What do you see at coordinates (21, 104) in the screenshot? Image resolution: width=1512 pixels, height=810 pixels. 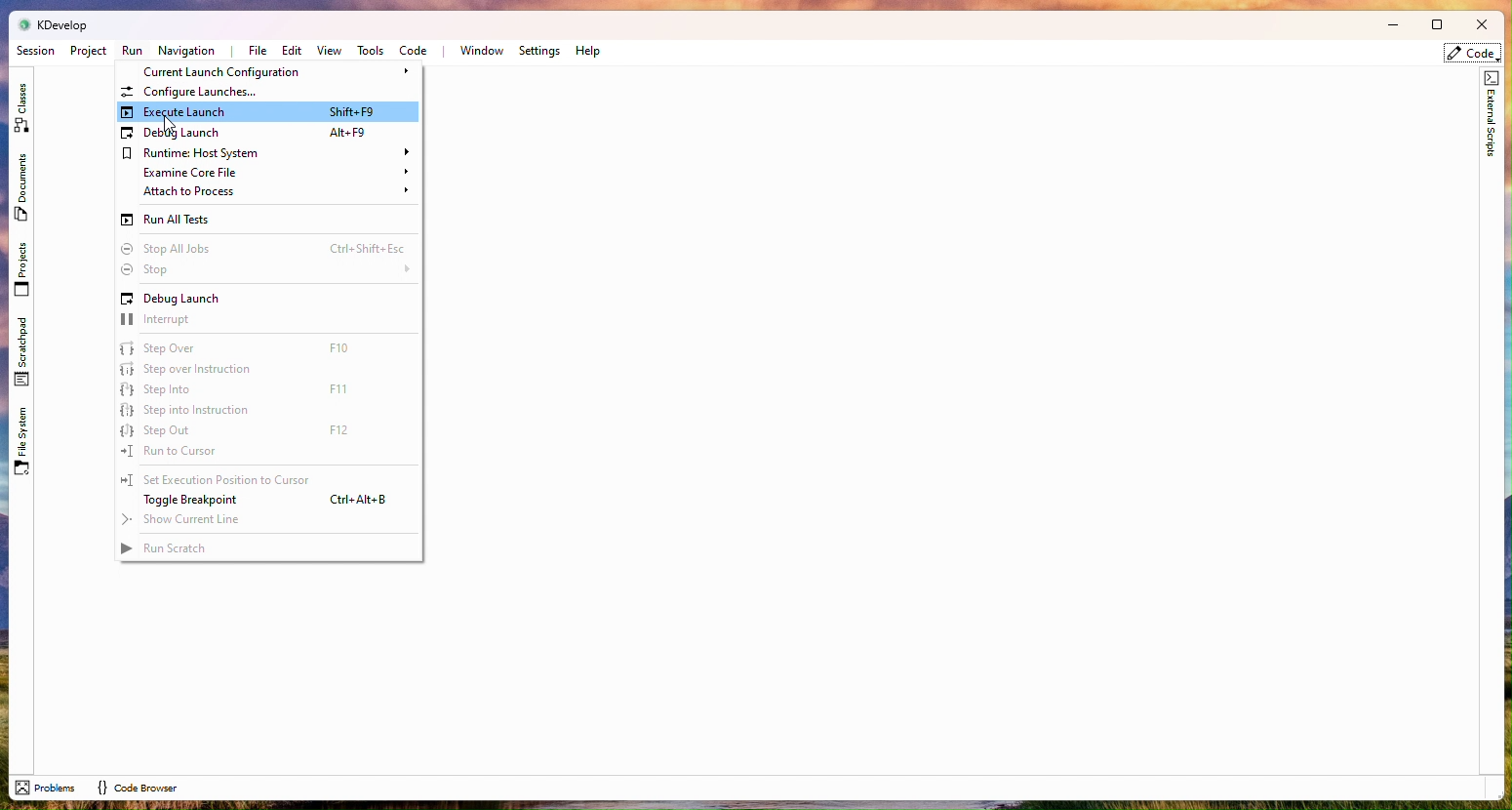 I see `Class` at bounding box center [21, 104].